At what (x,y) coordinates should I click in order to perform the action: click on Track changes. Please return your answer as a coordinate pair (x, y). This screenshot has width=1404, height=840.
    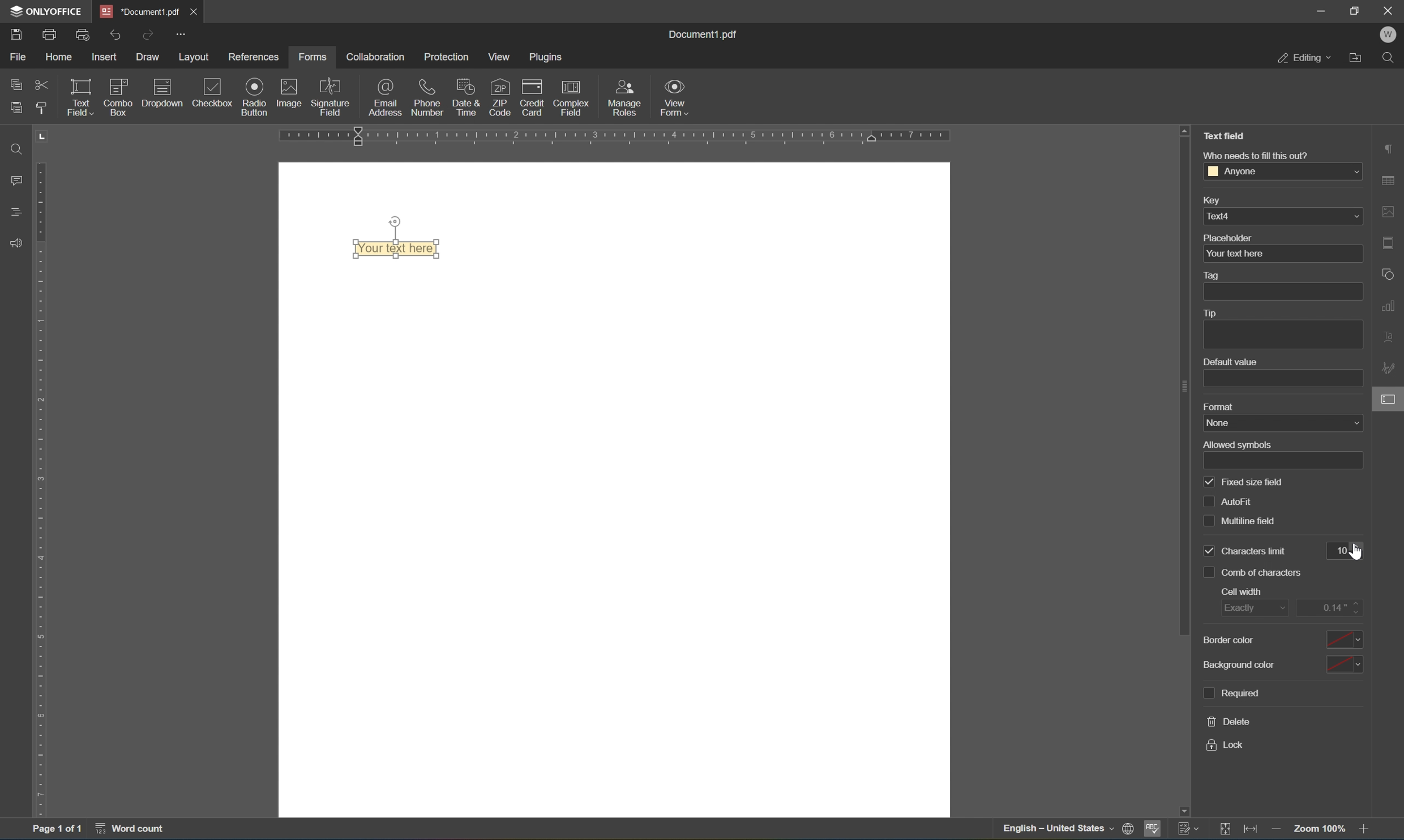
    Looking at the image, I should click on (1227, 830).